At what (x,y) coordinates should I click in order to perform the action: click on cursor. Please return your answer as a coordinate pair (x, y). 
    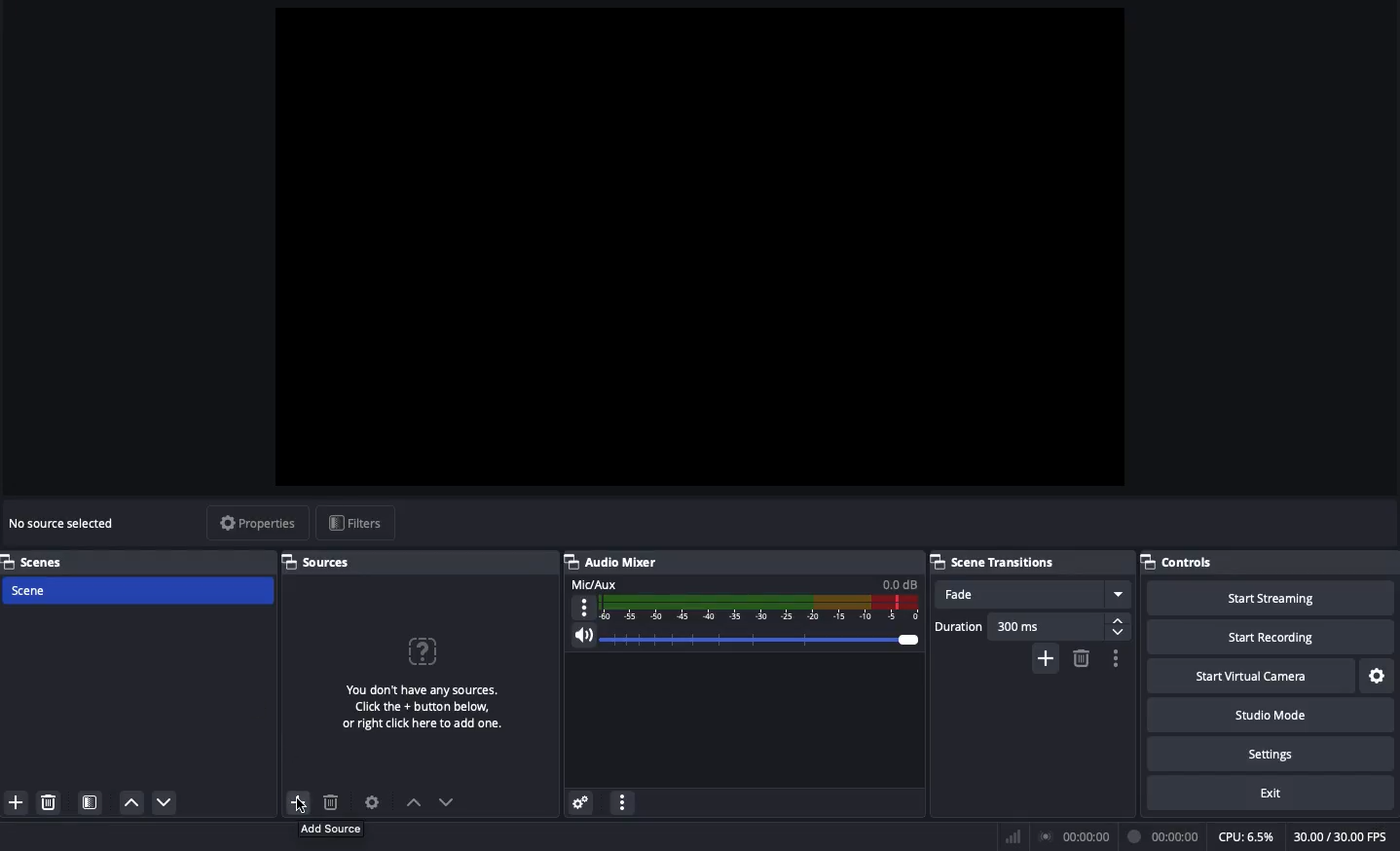
    Looking at the image, I should click on (299, 810).